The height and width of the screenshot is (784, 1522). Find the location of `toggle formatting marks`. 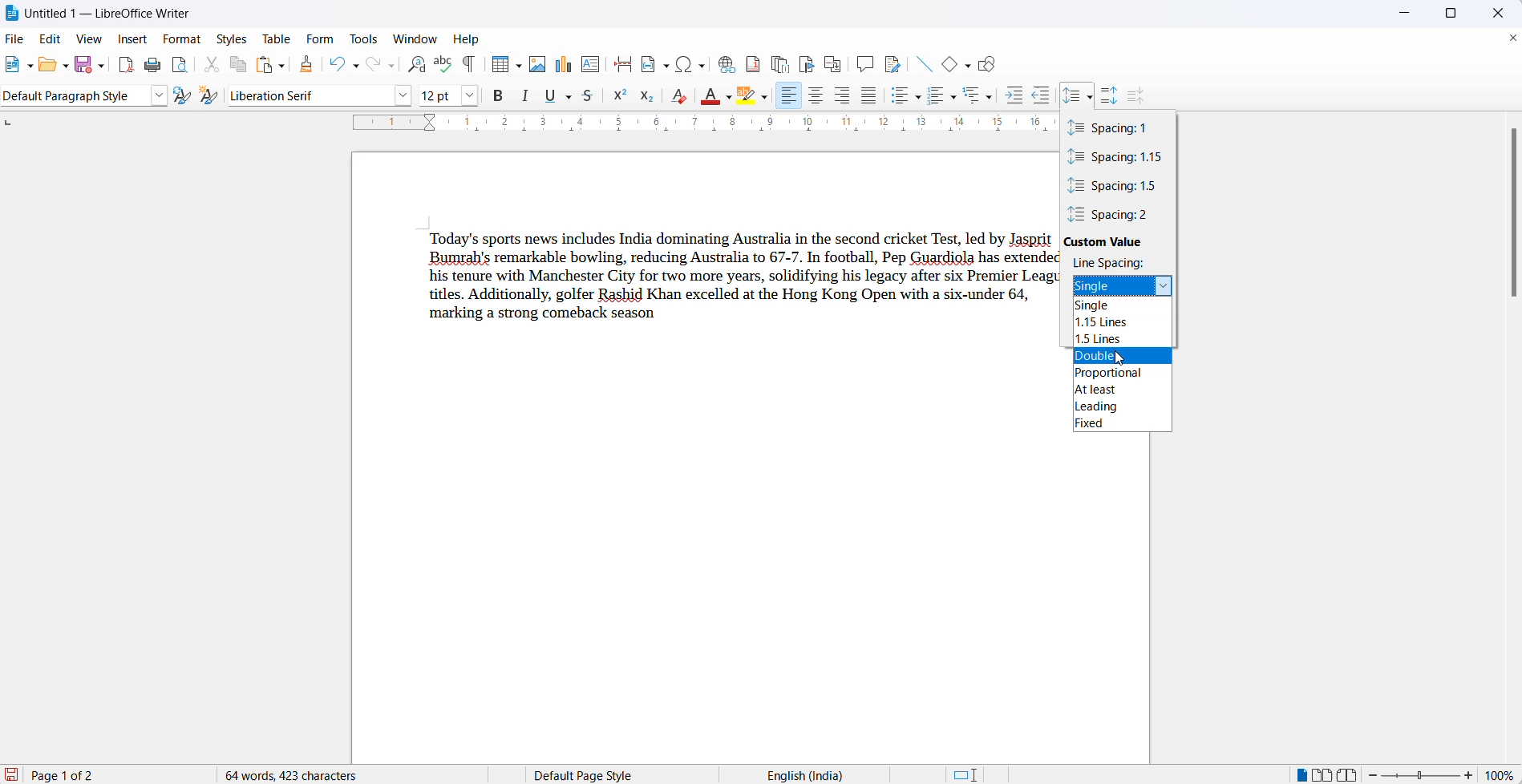

toggle formatting marks is located at coordinates (469, 65).